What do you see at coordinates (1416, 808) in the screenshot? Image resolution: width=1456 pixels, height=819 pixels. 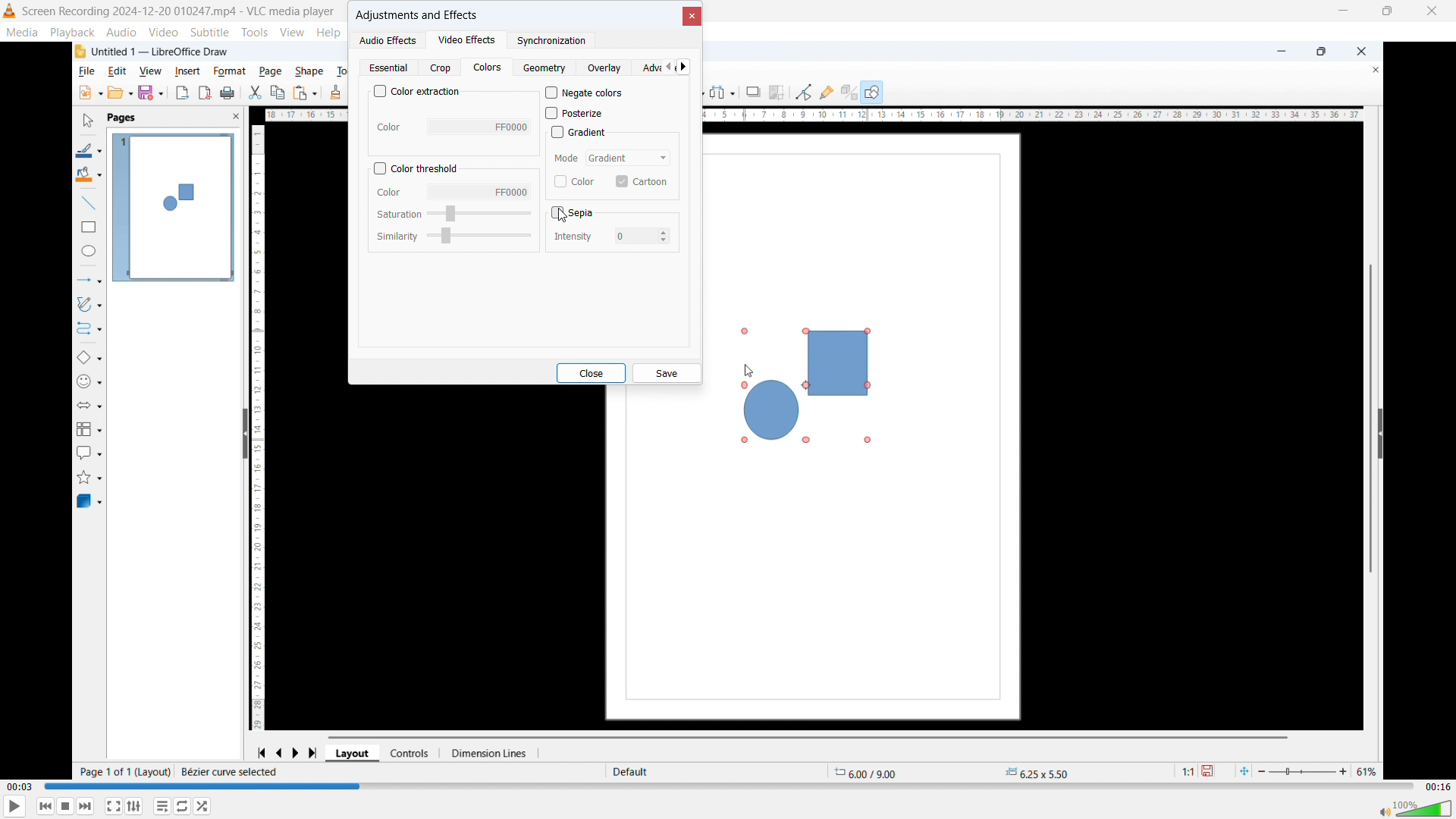 I see `volume bar ` at bounding box center [1416, 808].